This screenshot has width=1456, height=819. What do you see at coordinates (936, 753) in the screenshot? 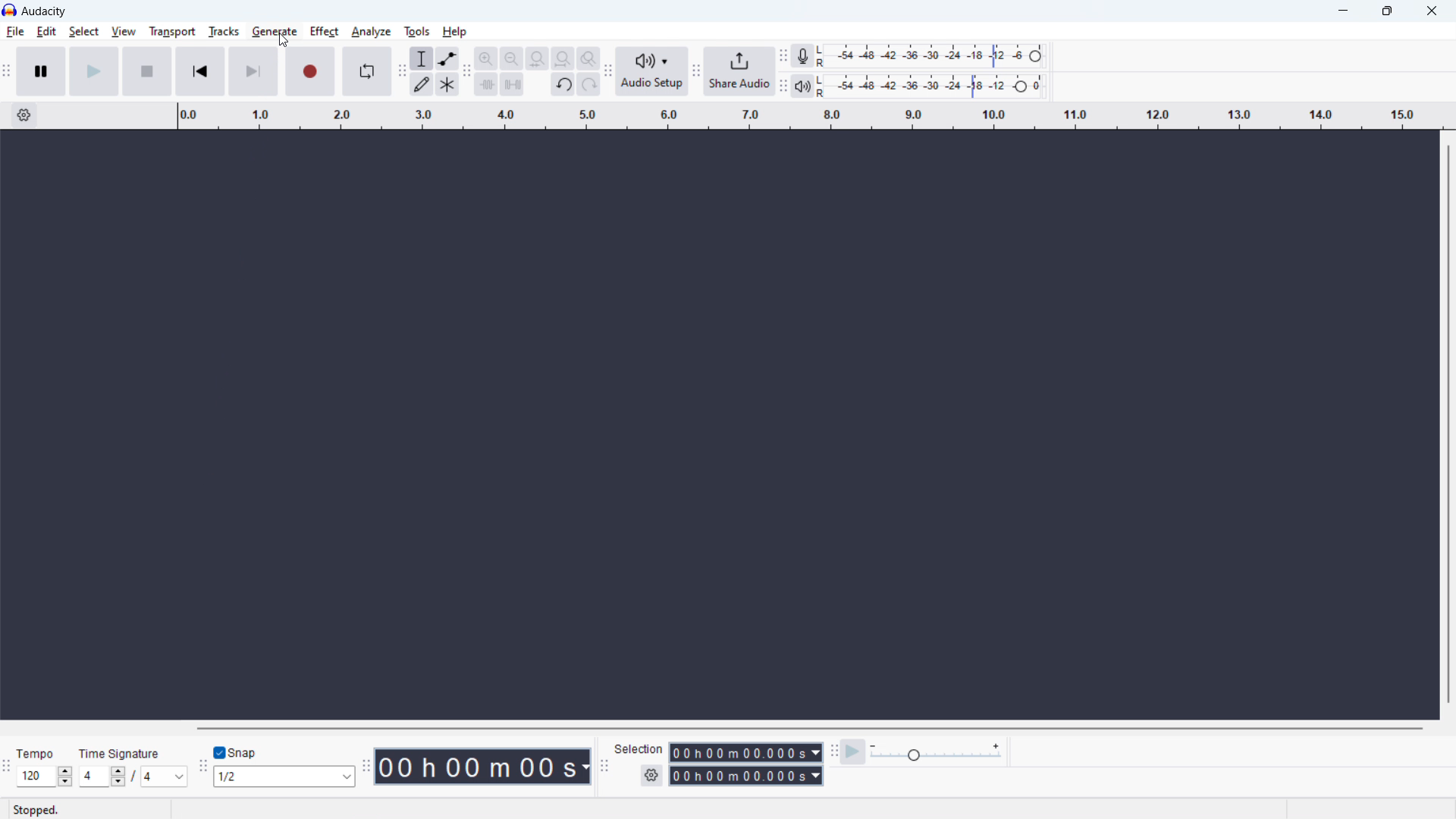
I see `playback speed` at bounding box center [936, 753].